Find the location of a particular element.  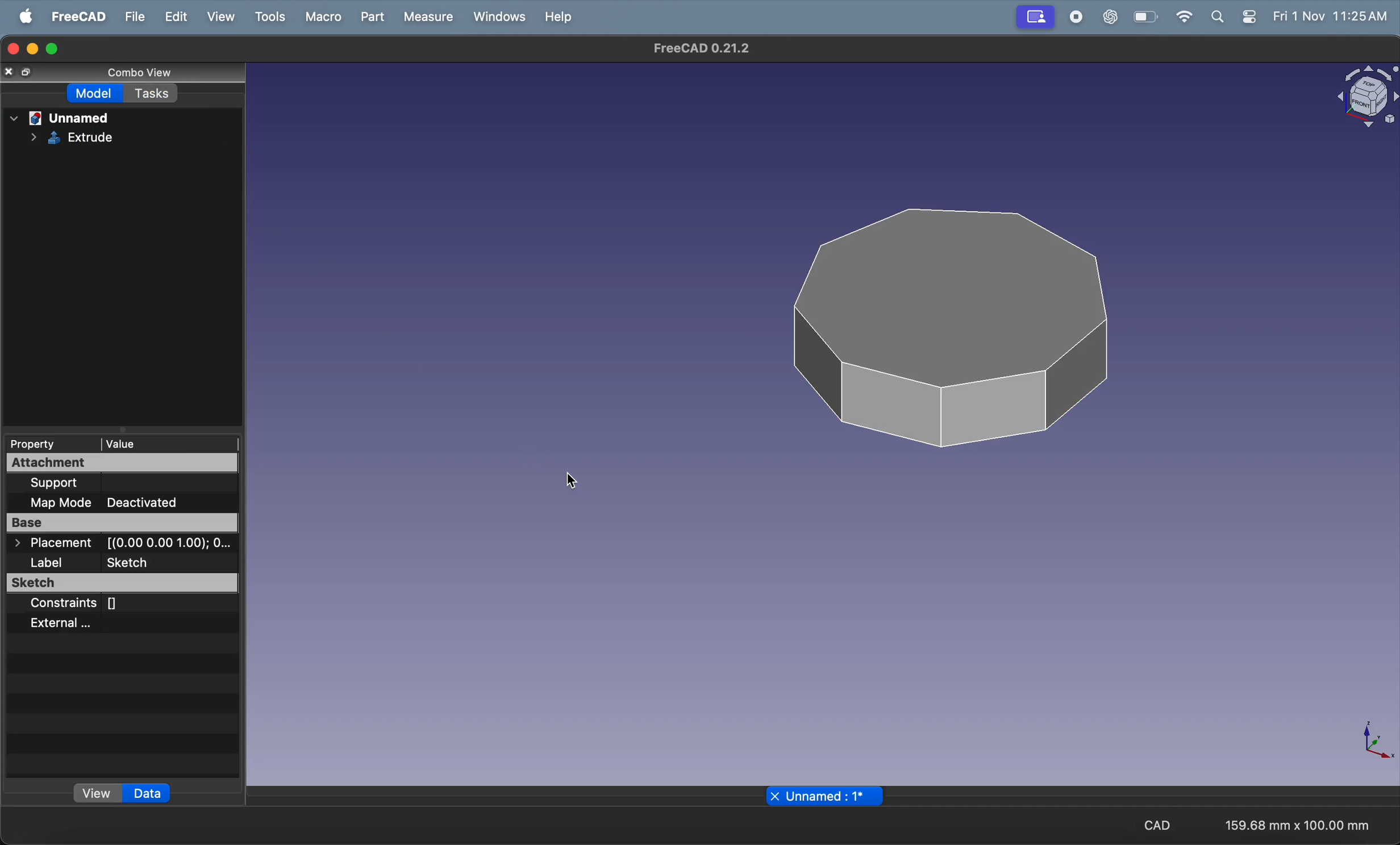

axis is located at coordinates (1372, 742).